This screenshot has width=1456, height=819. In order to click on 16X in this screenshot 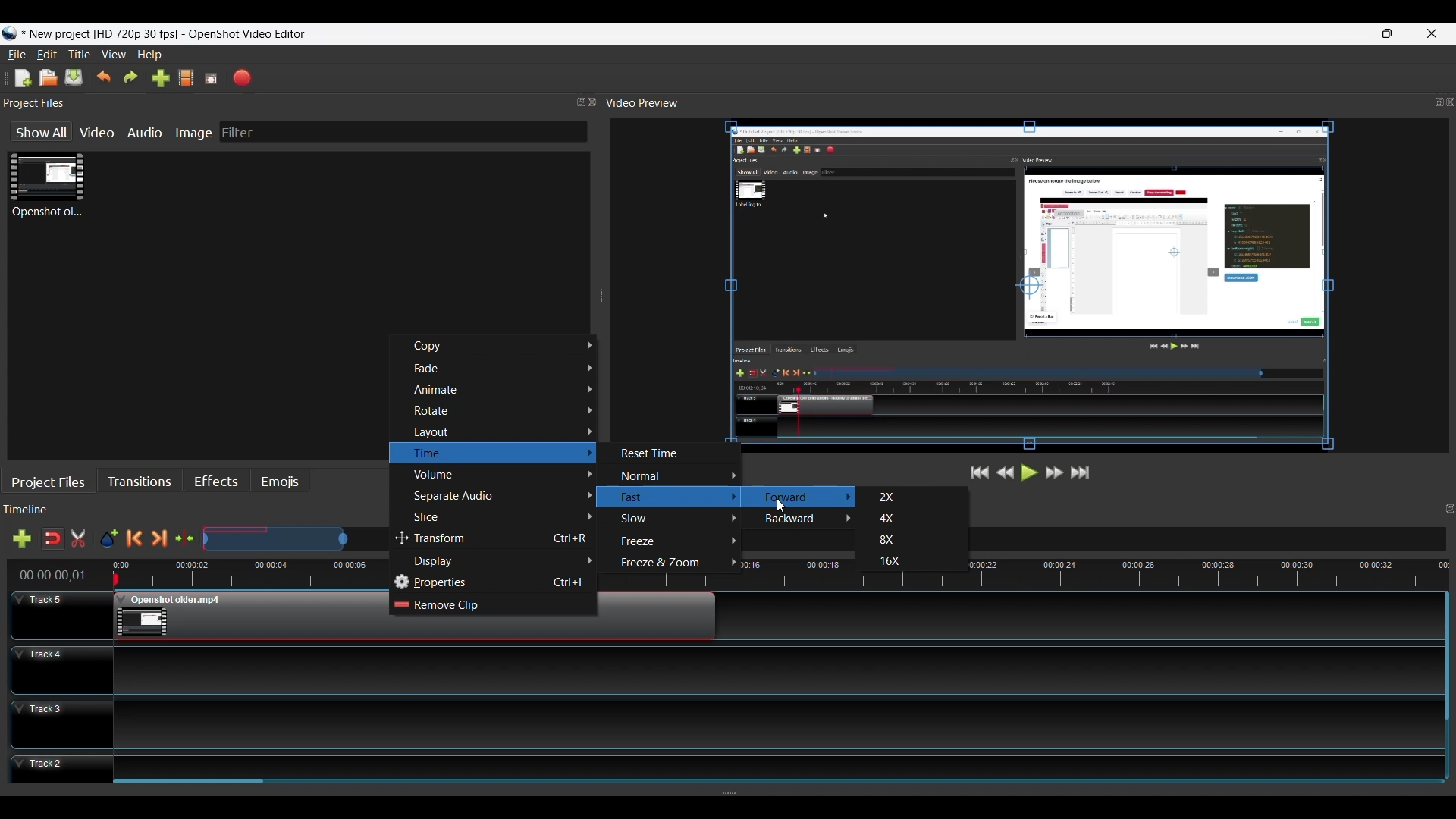, I will do `click(890, 560)`.